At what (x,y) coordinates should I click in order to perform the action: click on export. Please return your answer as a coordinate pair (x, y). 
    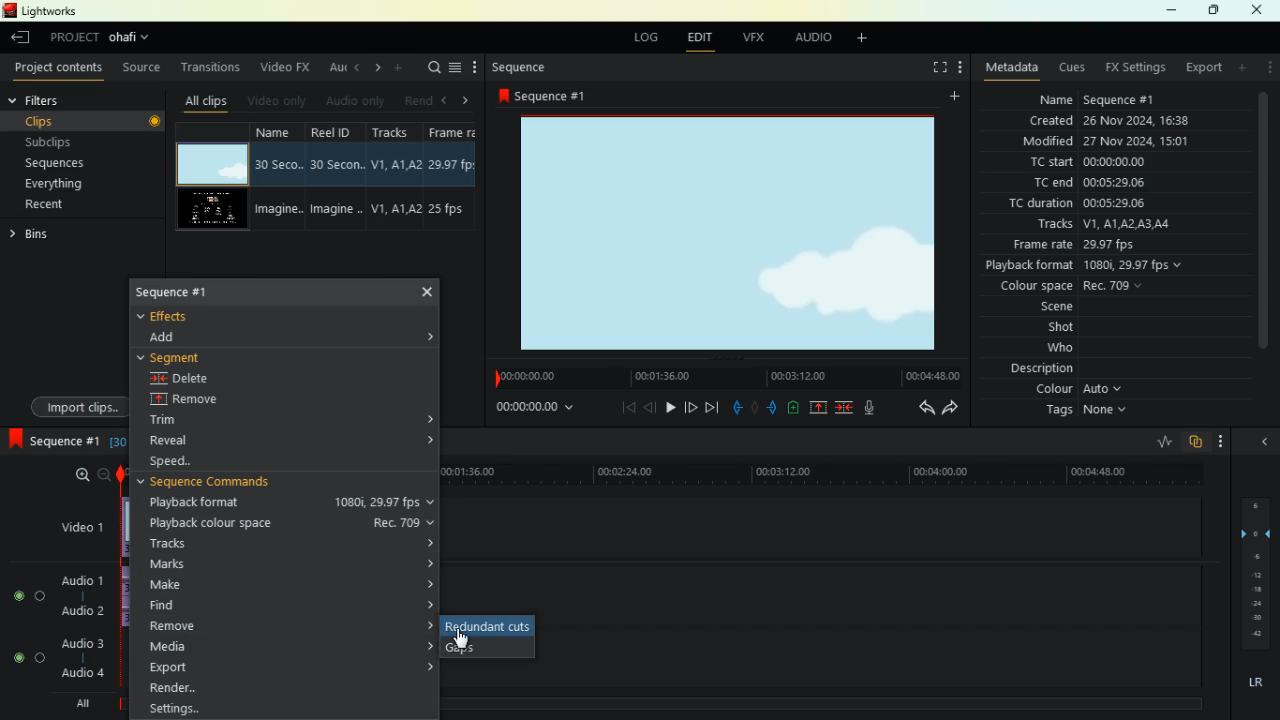
    Looking at the image, I should click on (1201, 70).